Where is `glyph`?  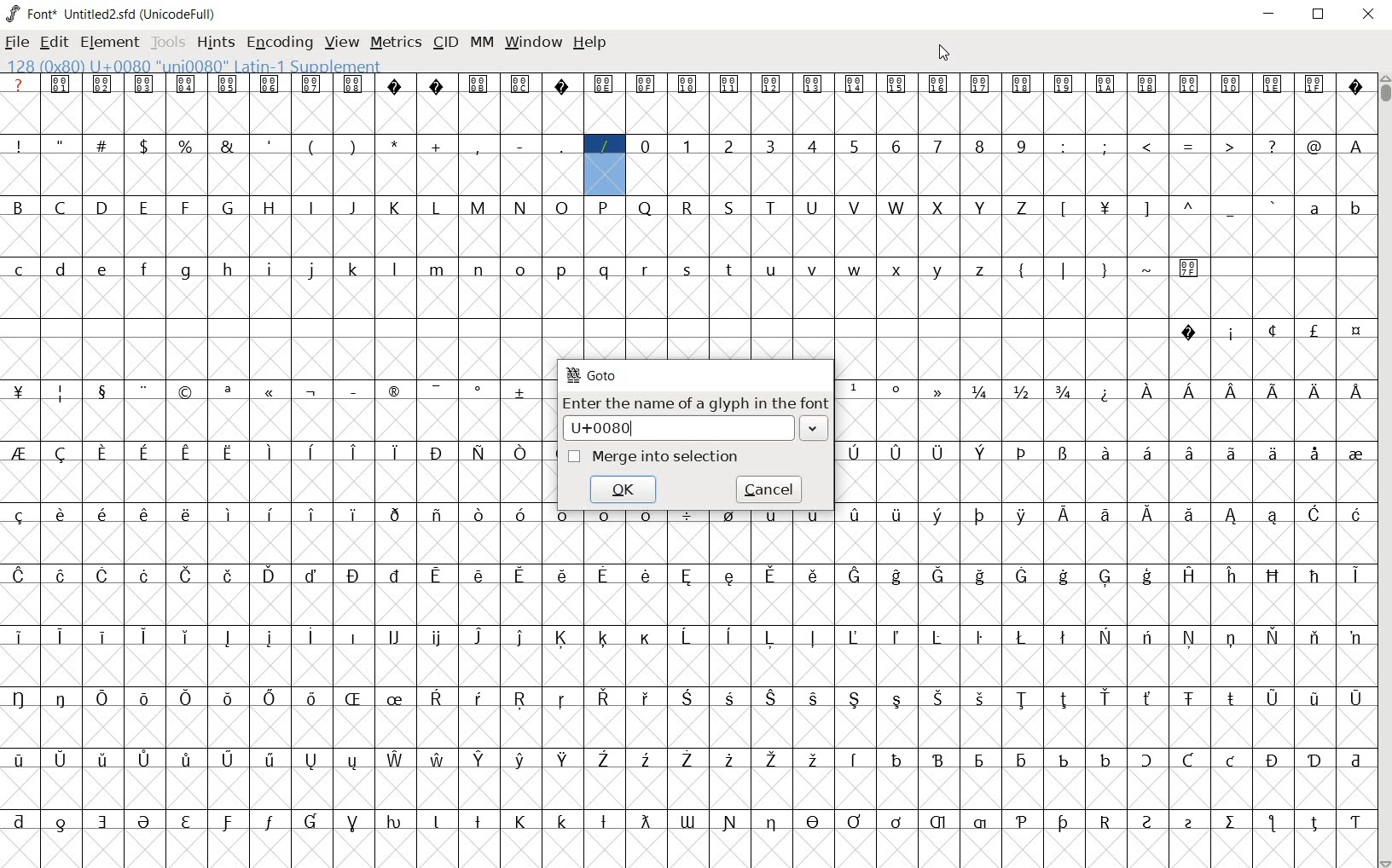 glyph is located at coordinates (395, 453).